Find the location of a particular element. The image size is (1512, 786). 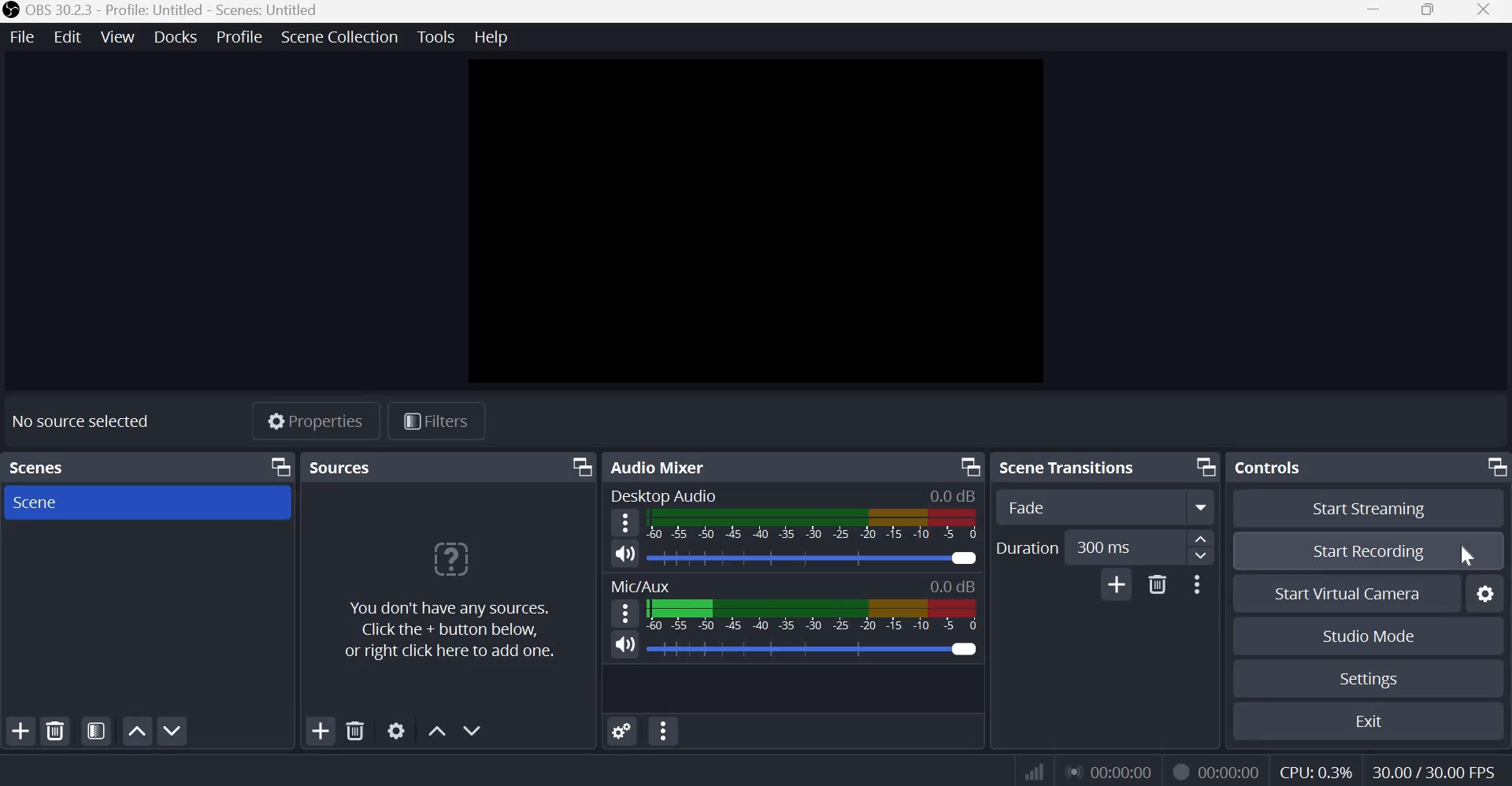

Move scene down is located at coordinates (174, 729).